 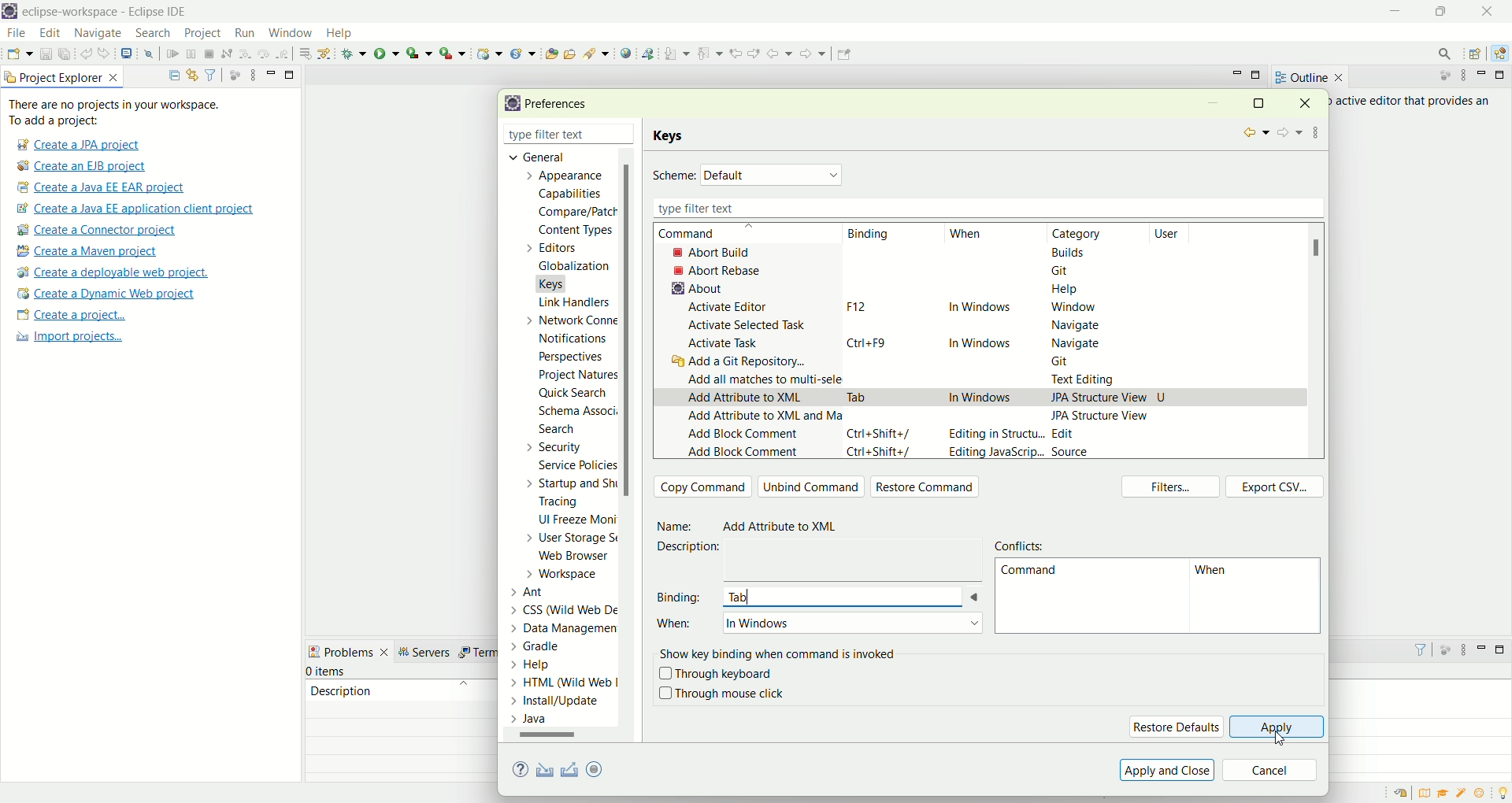 I want to click on minimize, so click(x=271, y=72).